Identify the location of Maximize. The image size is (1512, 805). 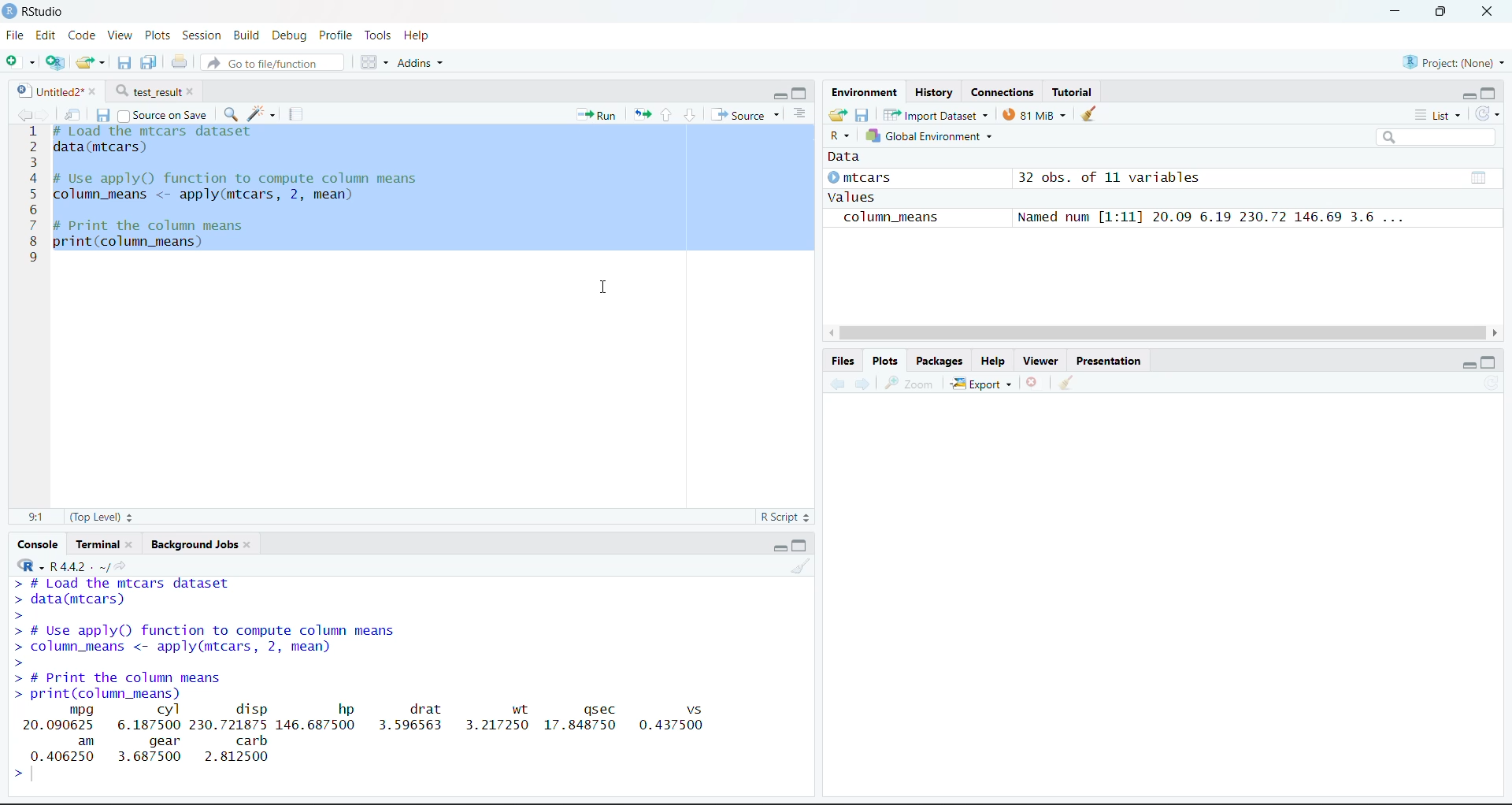
(1490, 359).